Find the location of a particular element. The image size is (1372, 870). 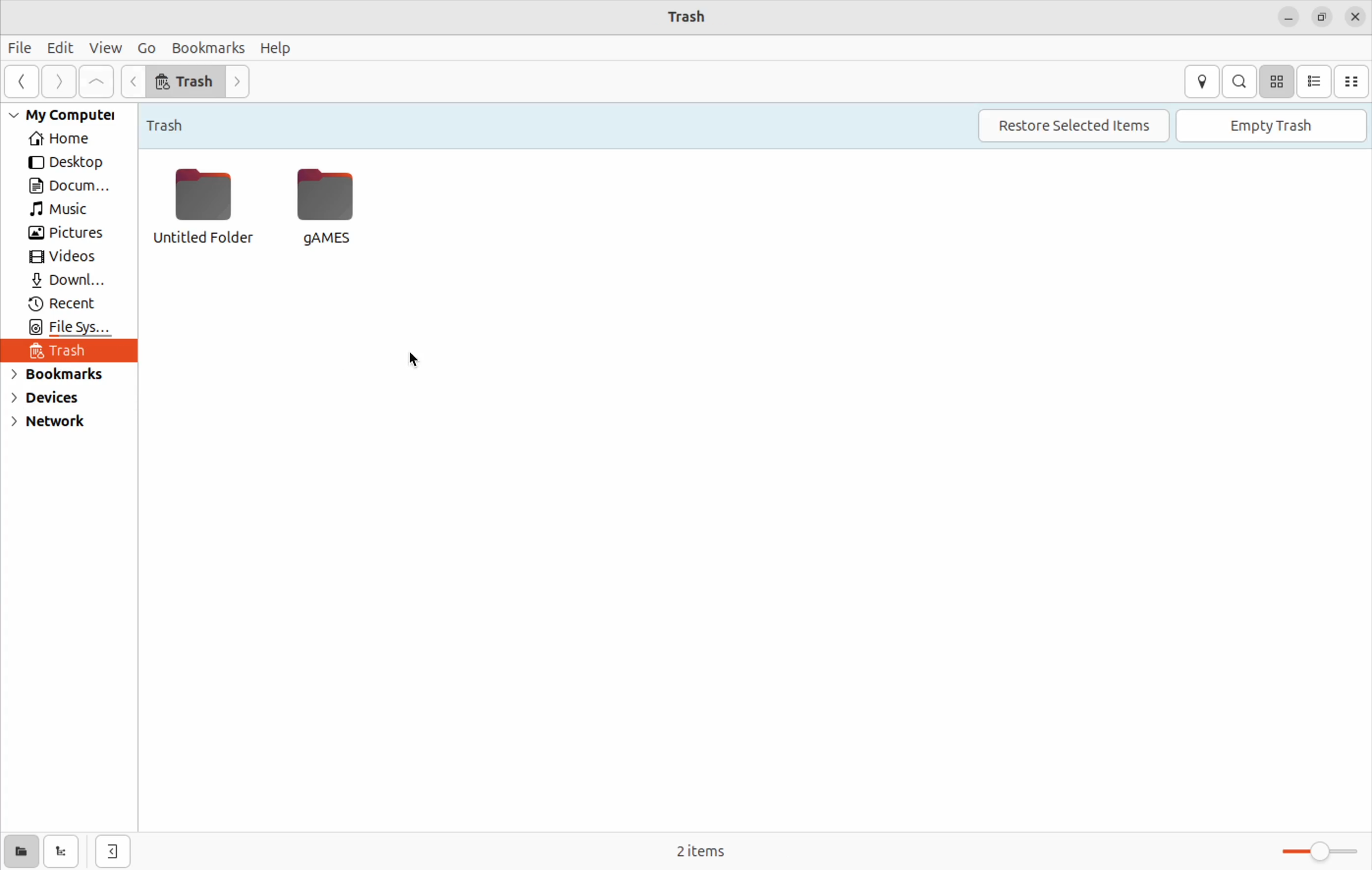

2 items is located at coordinates (728, 847).